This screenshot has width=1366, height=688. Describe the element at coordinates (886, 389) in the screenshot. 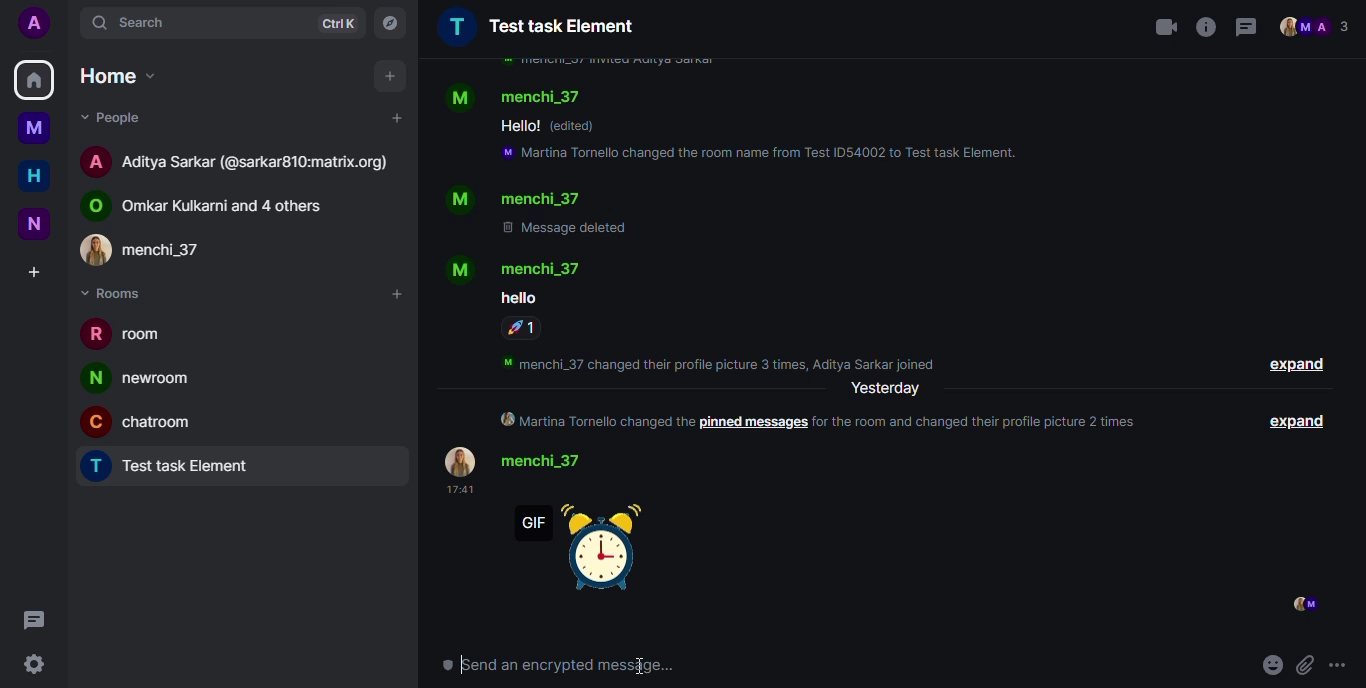

I see `yesterday` at that location.